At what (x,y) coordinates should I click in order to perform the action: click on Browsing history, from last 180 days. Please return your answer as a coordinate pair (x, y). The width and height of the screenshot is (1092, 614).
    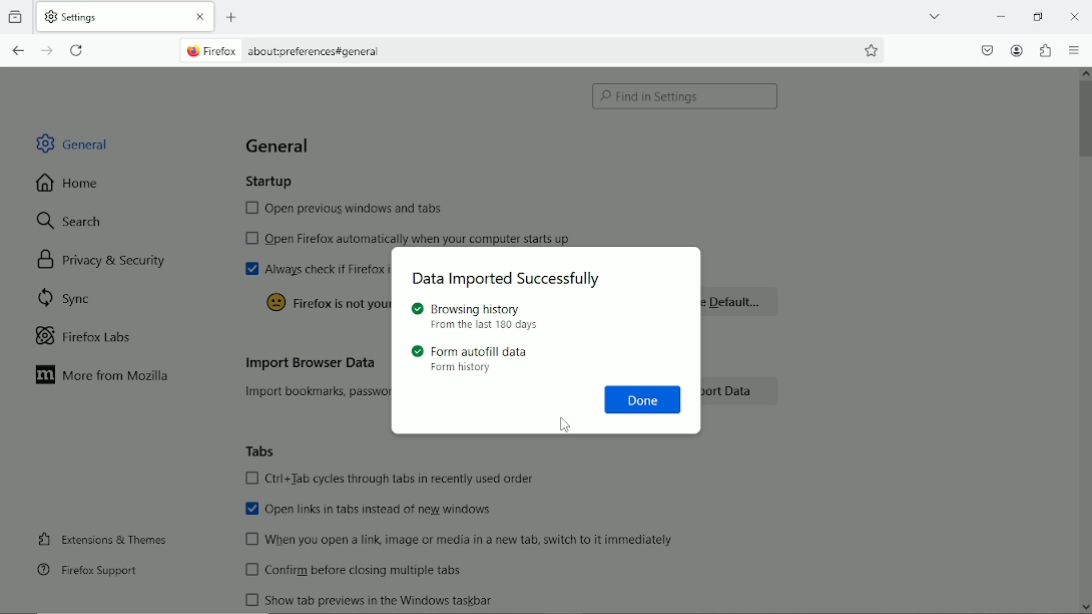
    Looking at the image, I should click on (477, 317).